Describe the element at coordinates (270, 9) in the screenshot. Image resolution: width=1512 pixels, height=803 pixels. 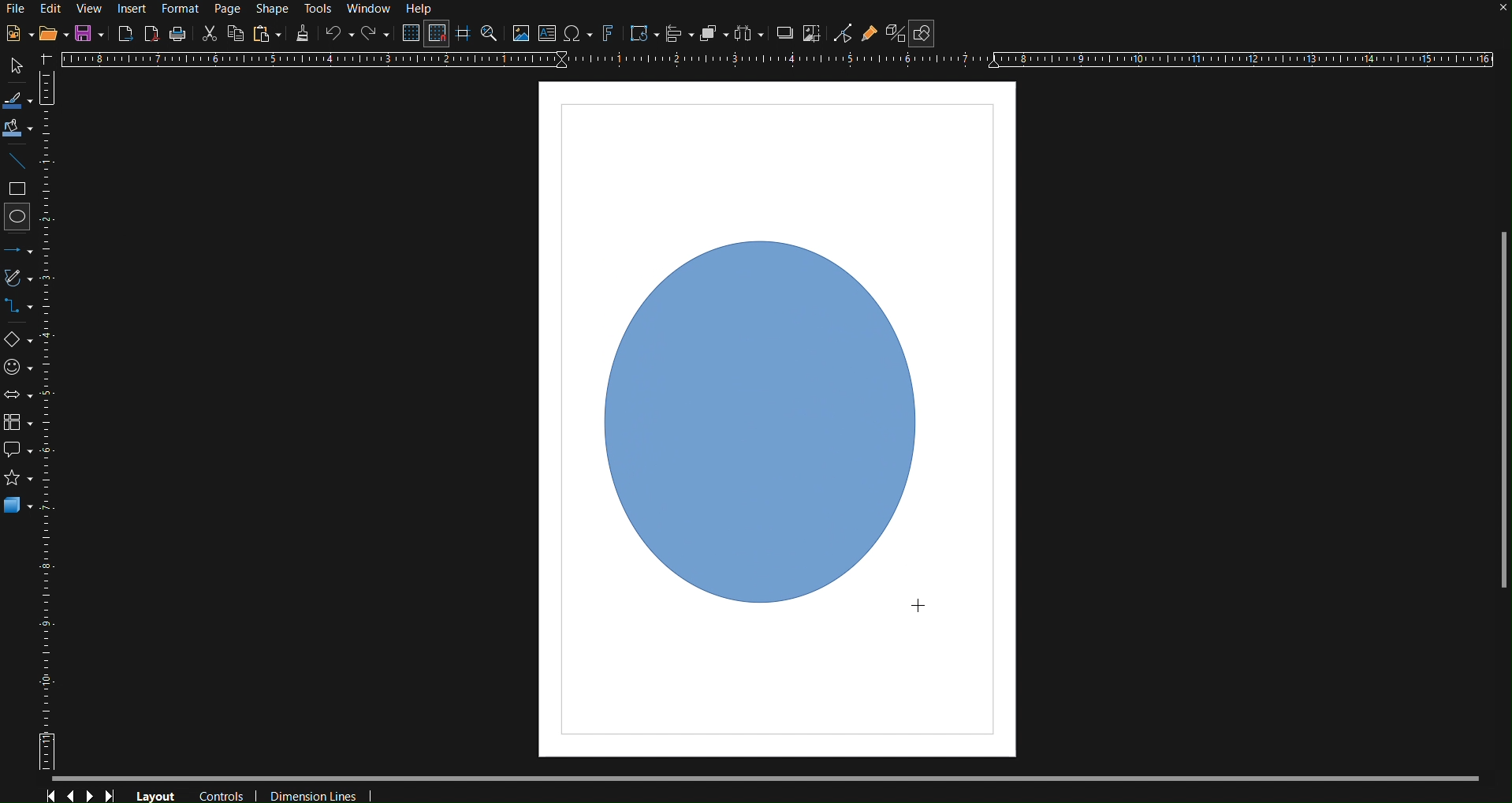
I see `Shape` at that location.